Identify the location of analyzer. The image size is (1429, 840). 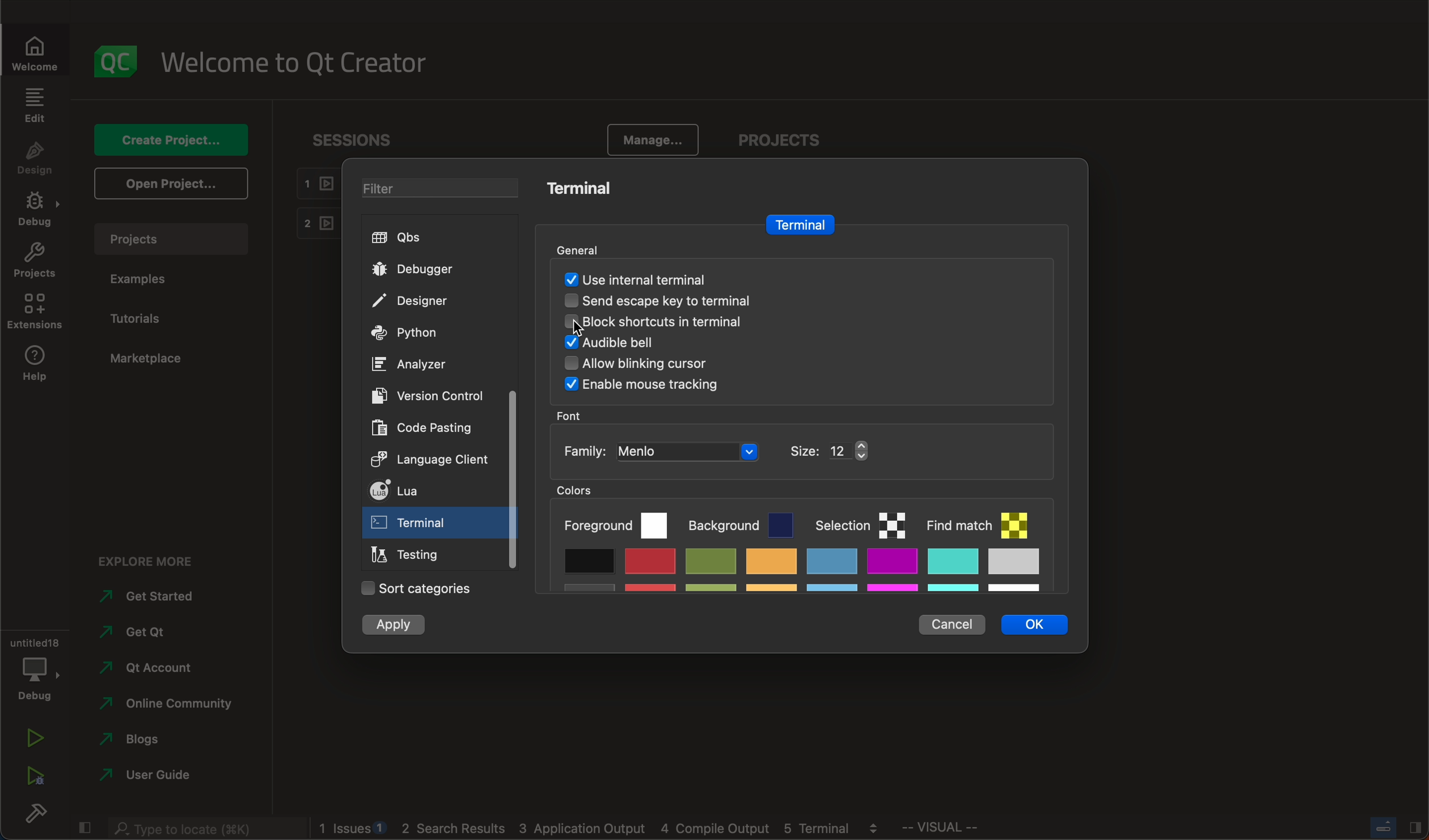
(412, 366).